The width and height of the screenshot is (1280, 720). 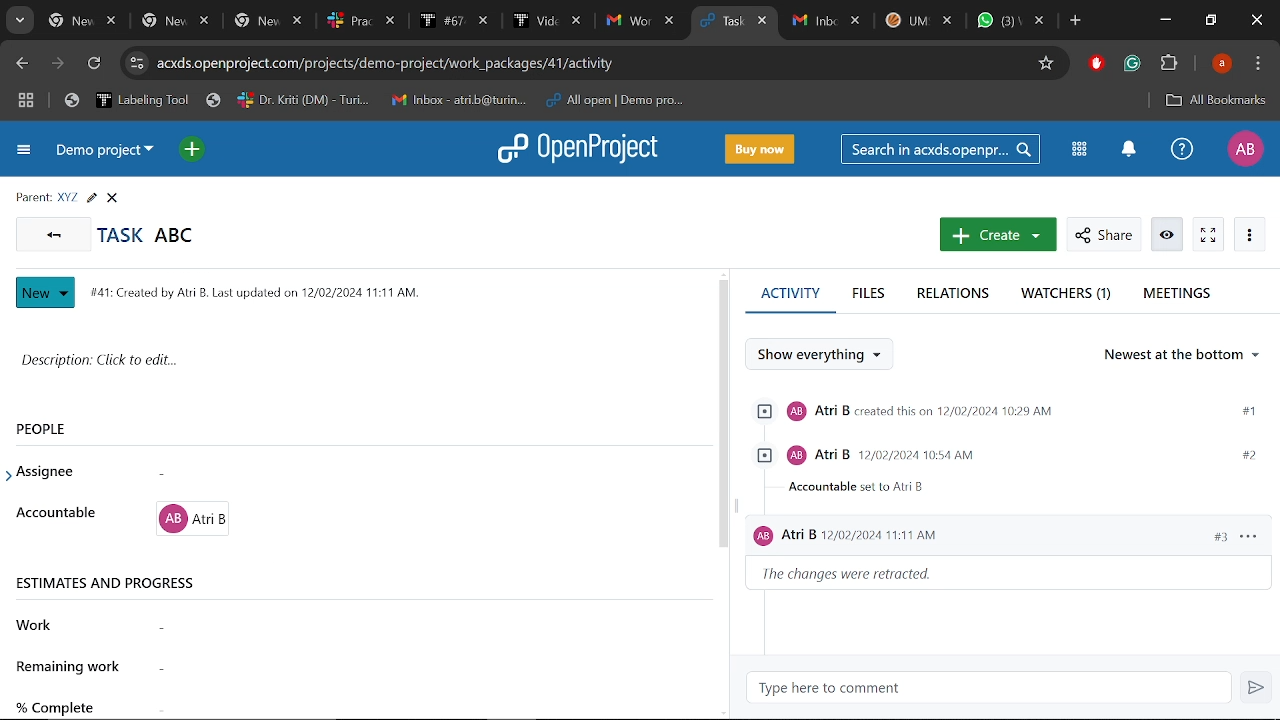 I want to click on Next page, so click(x=58, y=65).